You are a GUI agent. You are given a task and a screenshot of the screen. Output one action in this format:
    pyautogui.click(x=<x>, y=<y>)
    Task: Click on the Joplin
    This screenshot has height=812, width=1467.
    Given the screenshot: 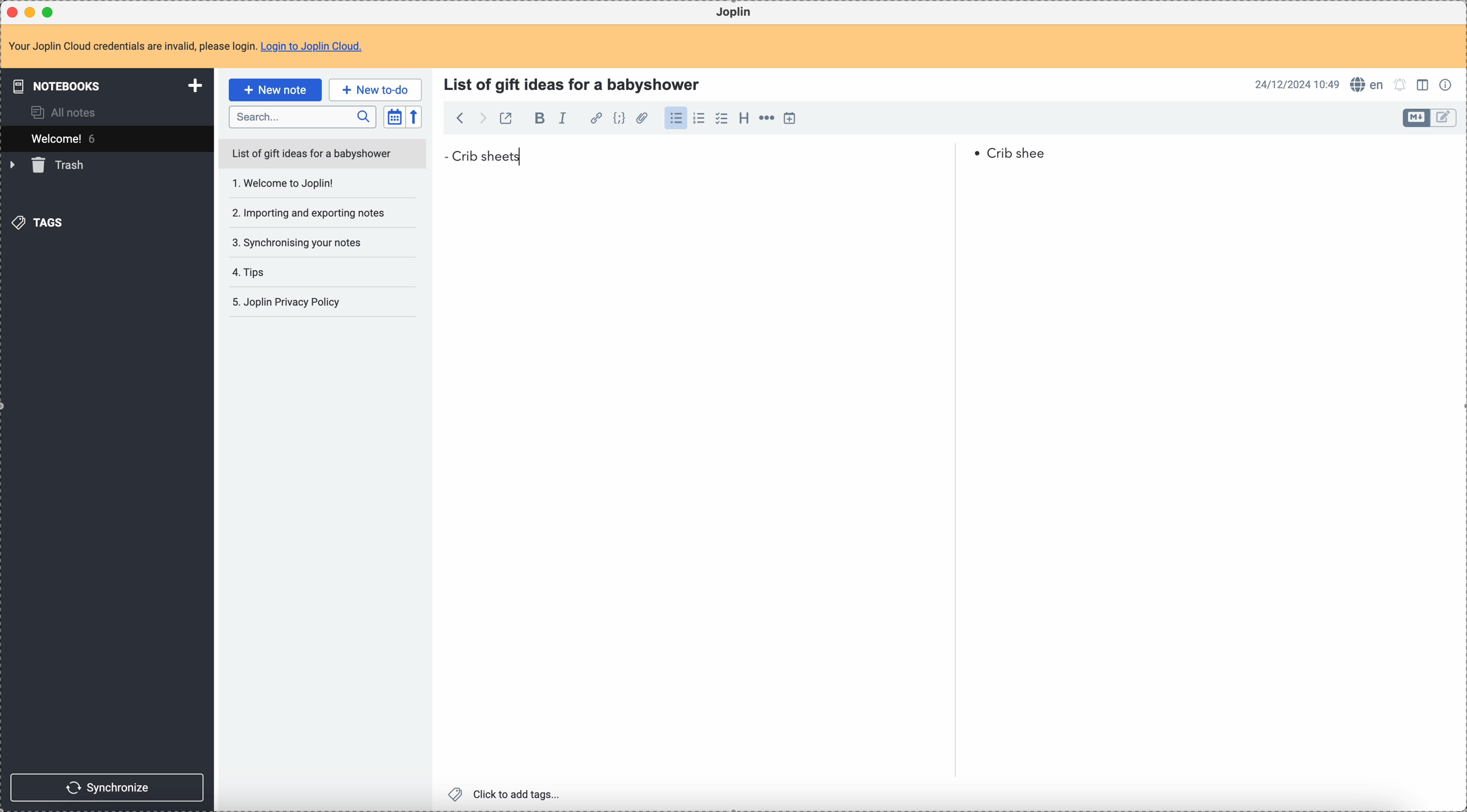 What is the action you would take?
    pyautogui.click(x=736, y=13)
    